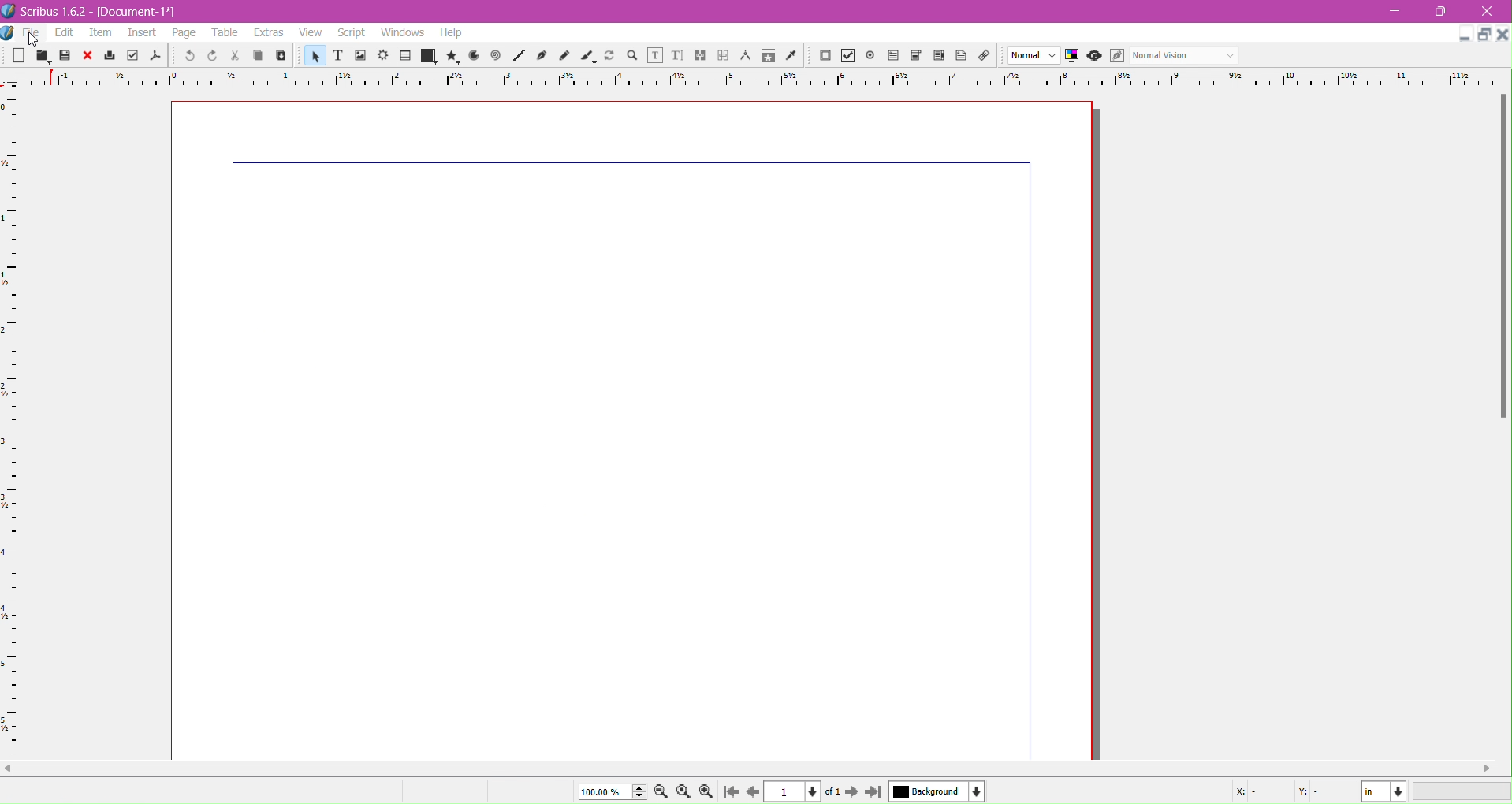 The height and width of the screenshot is (804, 1512). Describe the element at coordinates (752, 769) in the screenshot. I see `Scroll` at that location.